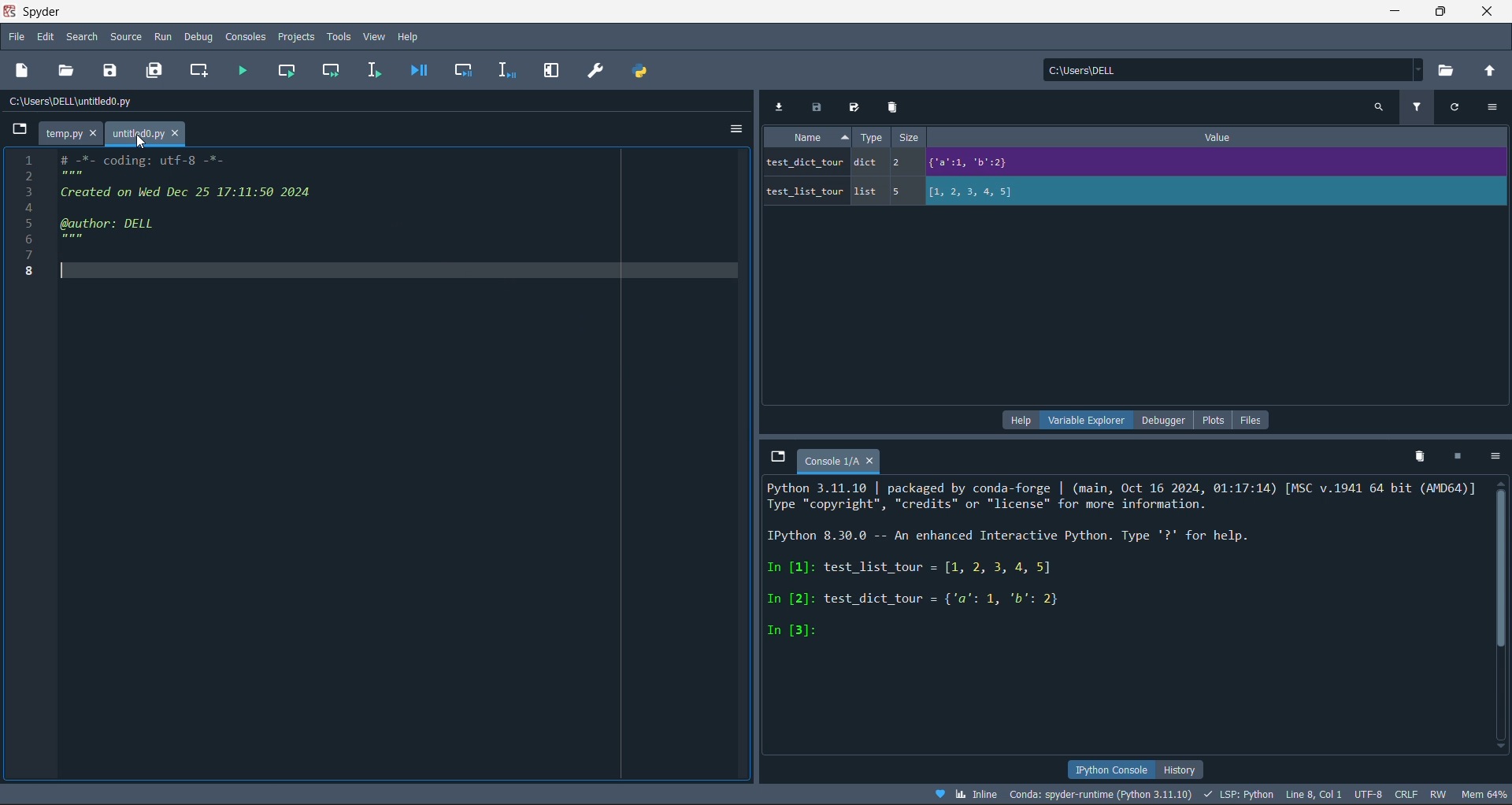 The width and height of the screenshot is (1512, 805). I want to click on LSP: Python, so click(1240, 793).